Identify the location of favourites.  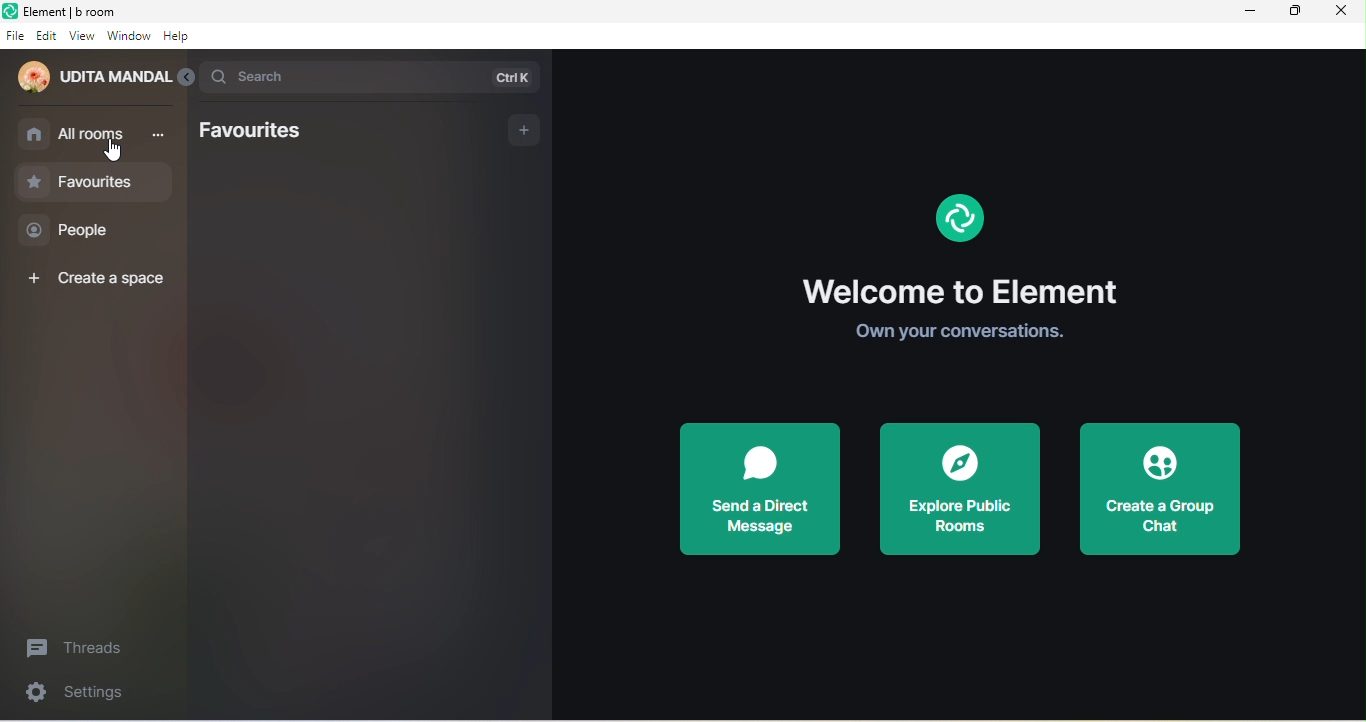
(91, 183).